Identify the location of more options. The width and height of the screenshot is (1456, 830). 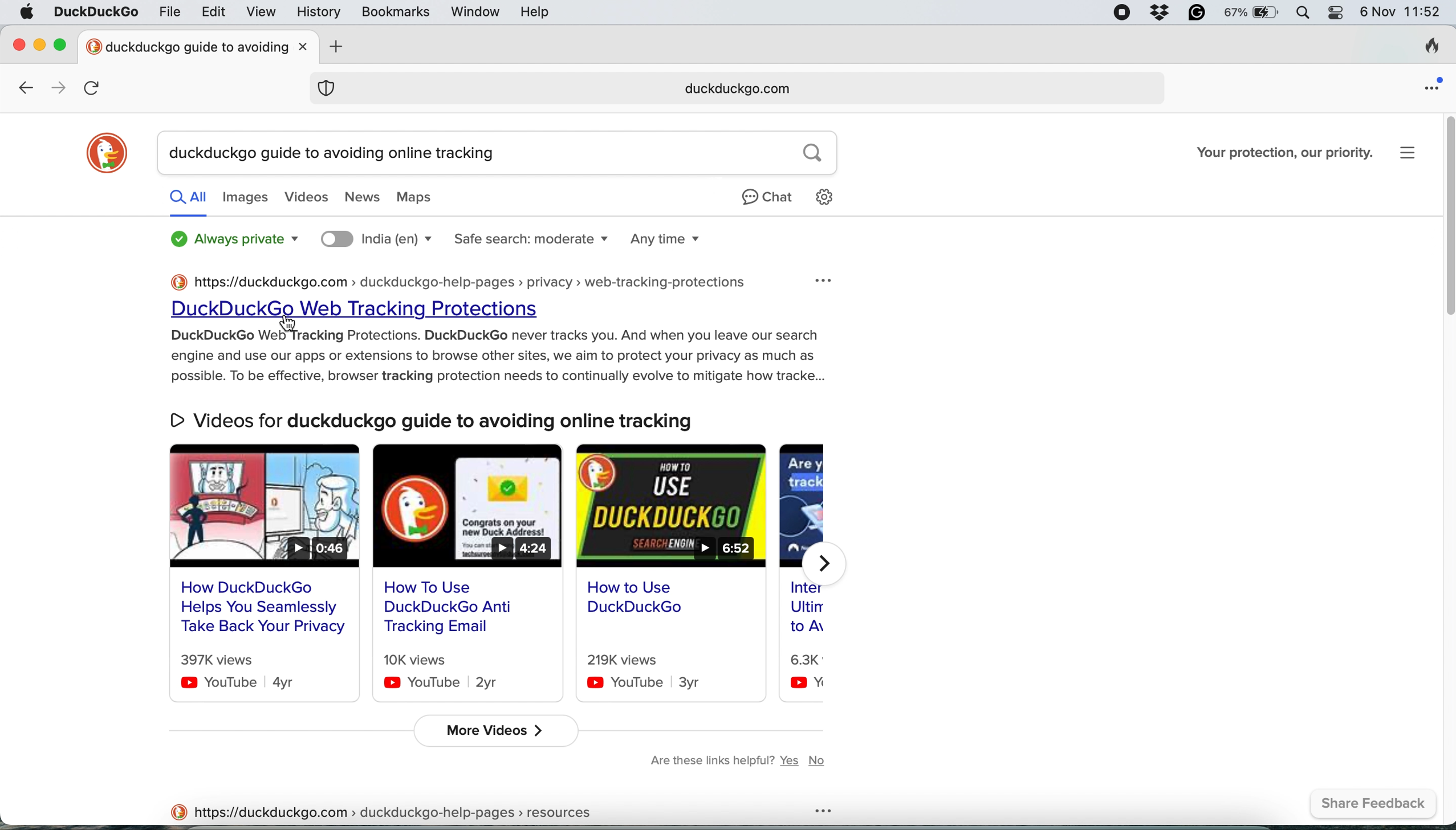
(1402, 152).